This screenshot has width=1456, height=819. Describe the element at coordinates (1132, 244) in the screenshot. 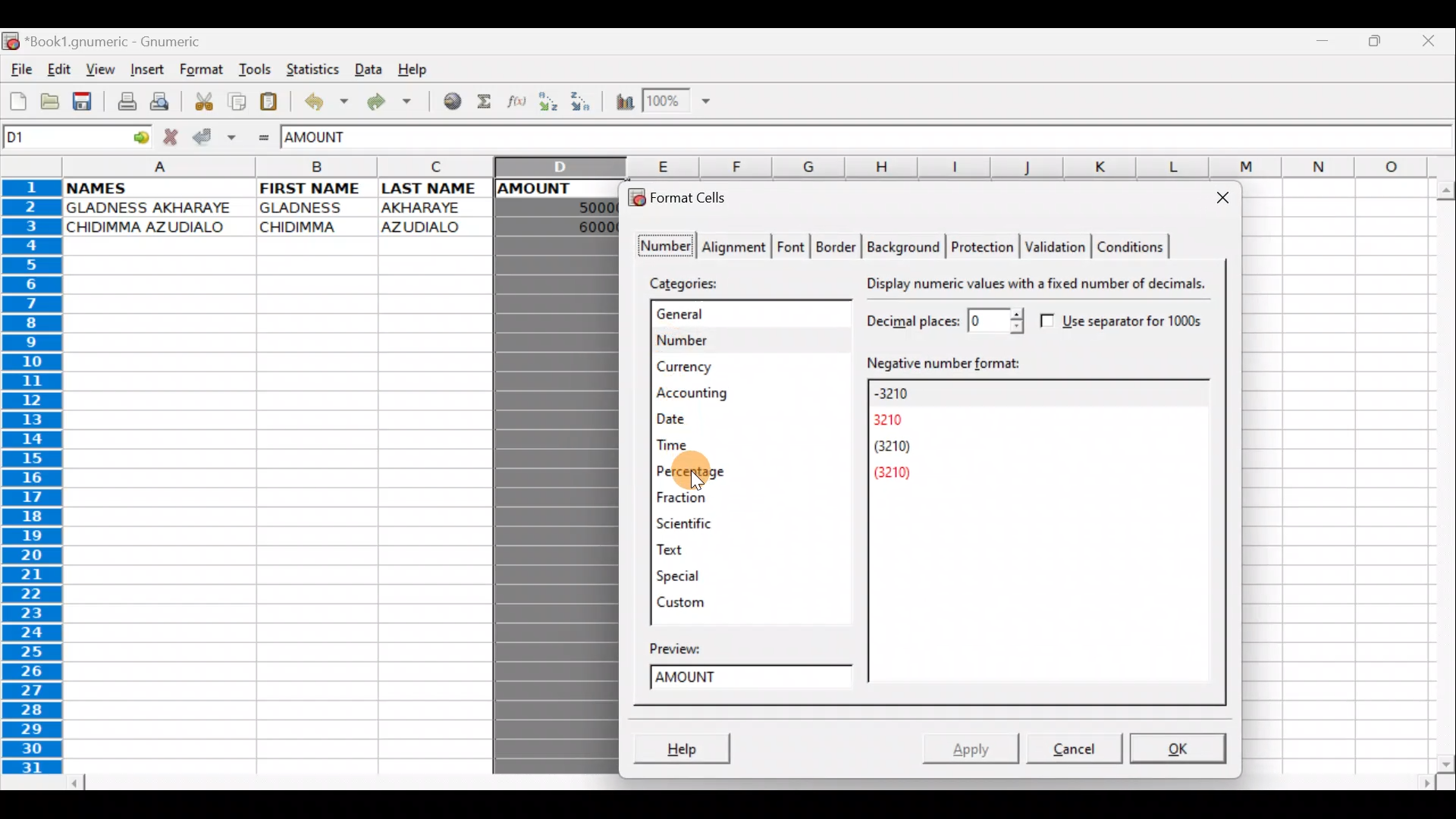

I see `Conditions` at that location.